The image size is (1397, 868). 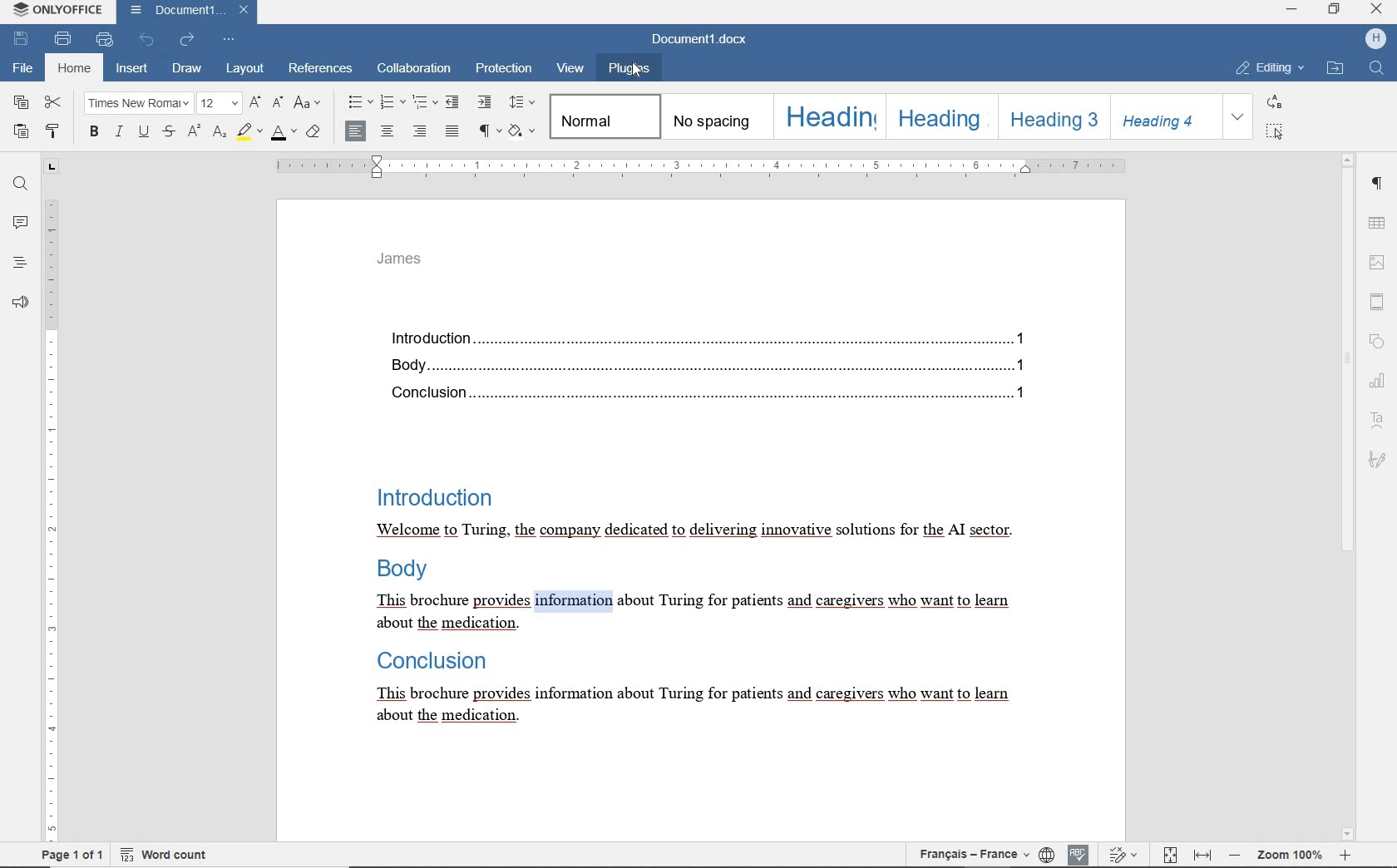 I want to click on BULLETS, so click(x=358, y=104).